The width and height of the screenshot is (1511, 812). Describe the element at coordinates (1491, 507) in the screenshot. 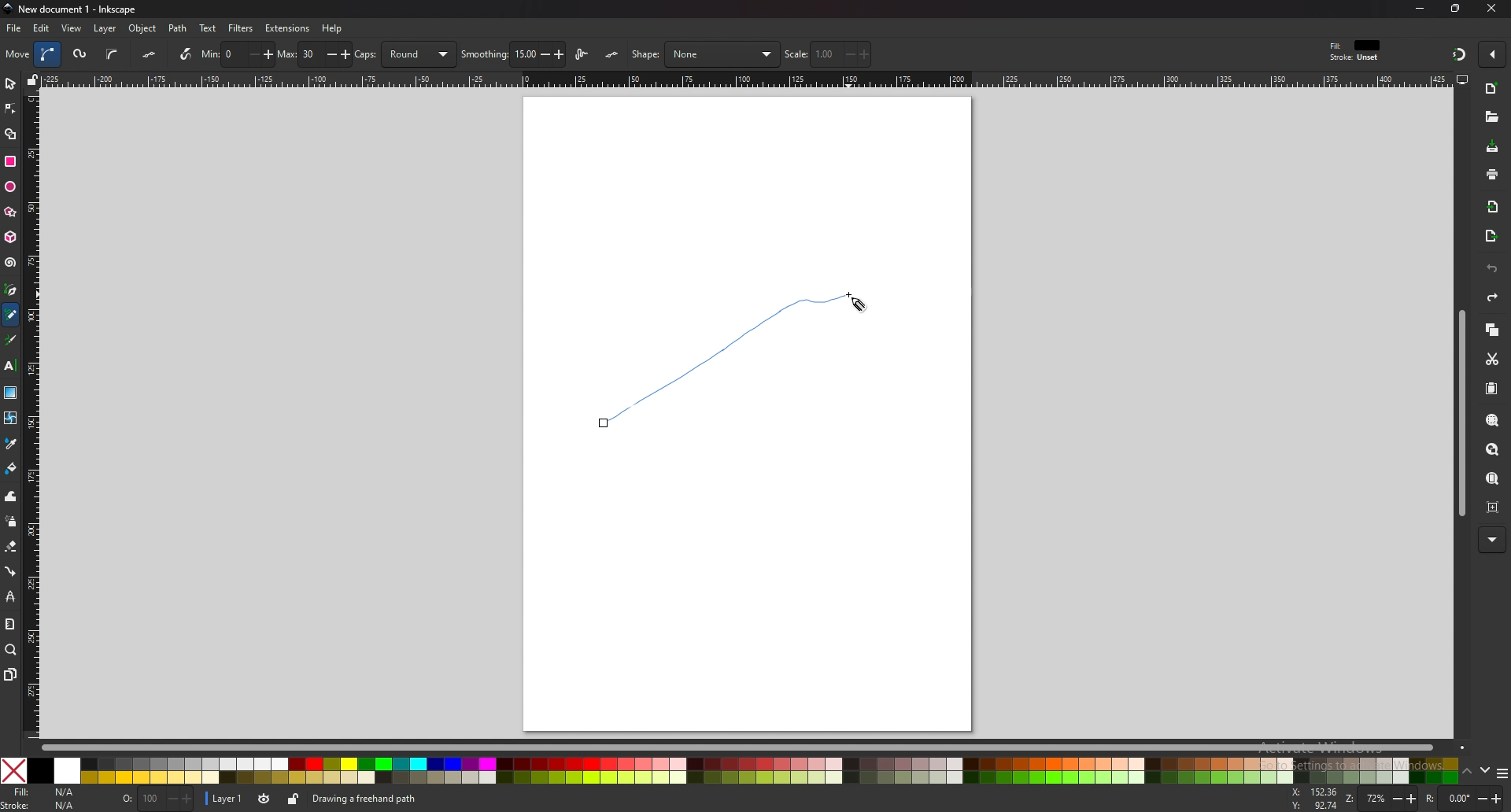

I see `zoom centre page` at that location.